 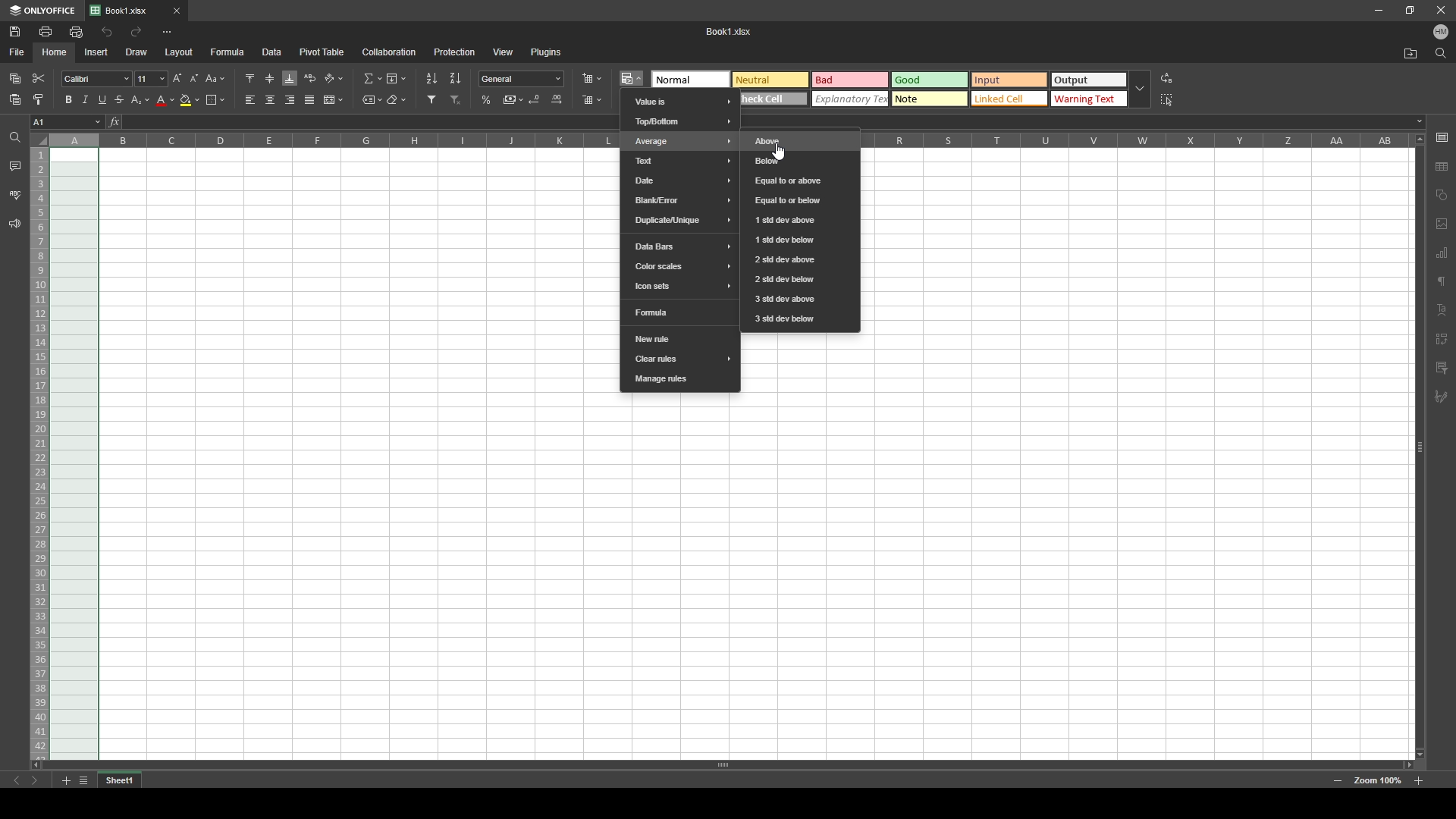 I want to click on comma style, so click(x=513, y=99).